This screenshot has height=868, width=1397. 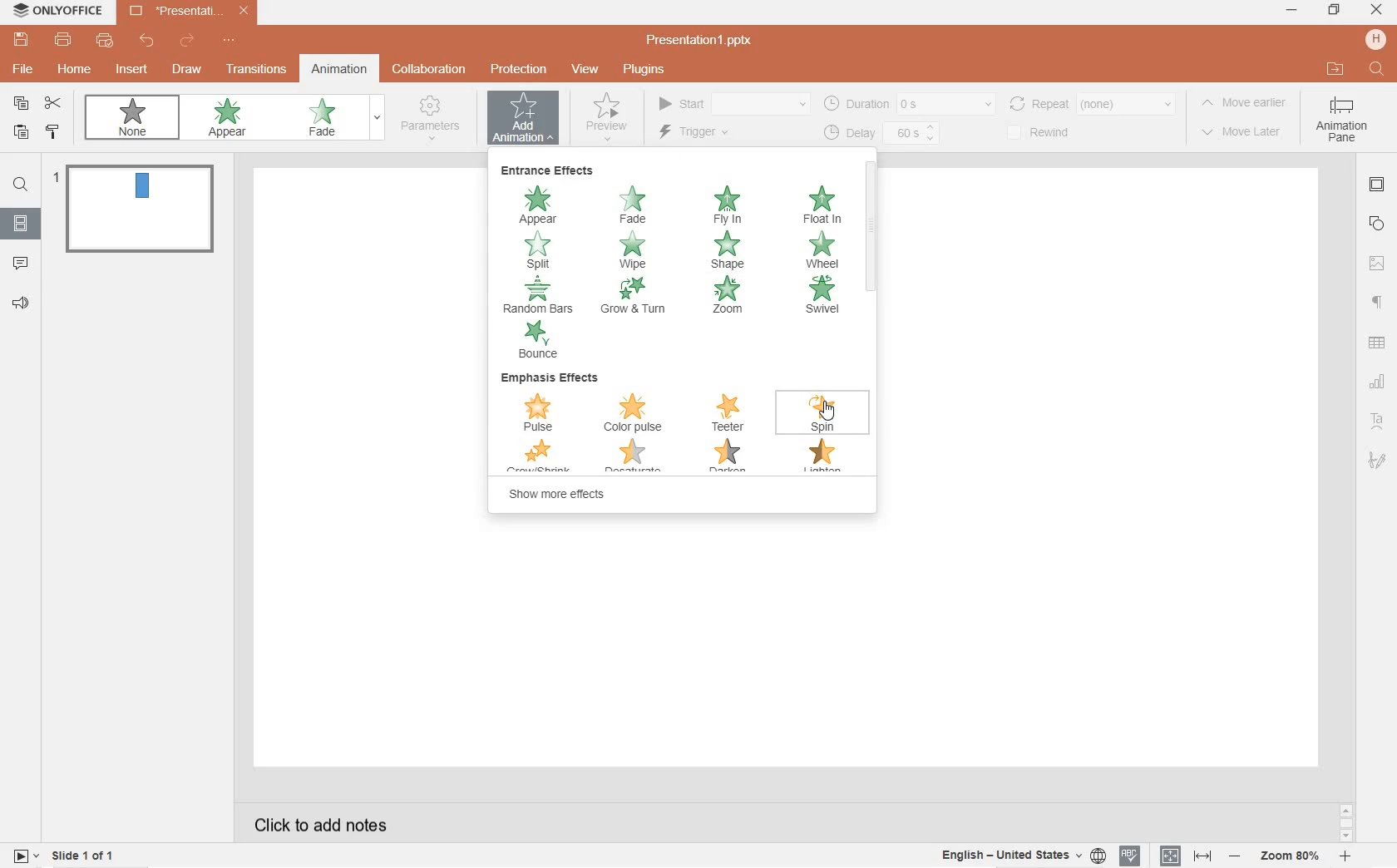 I want to click on chart settings, so click(x=1379, y=382).